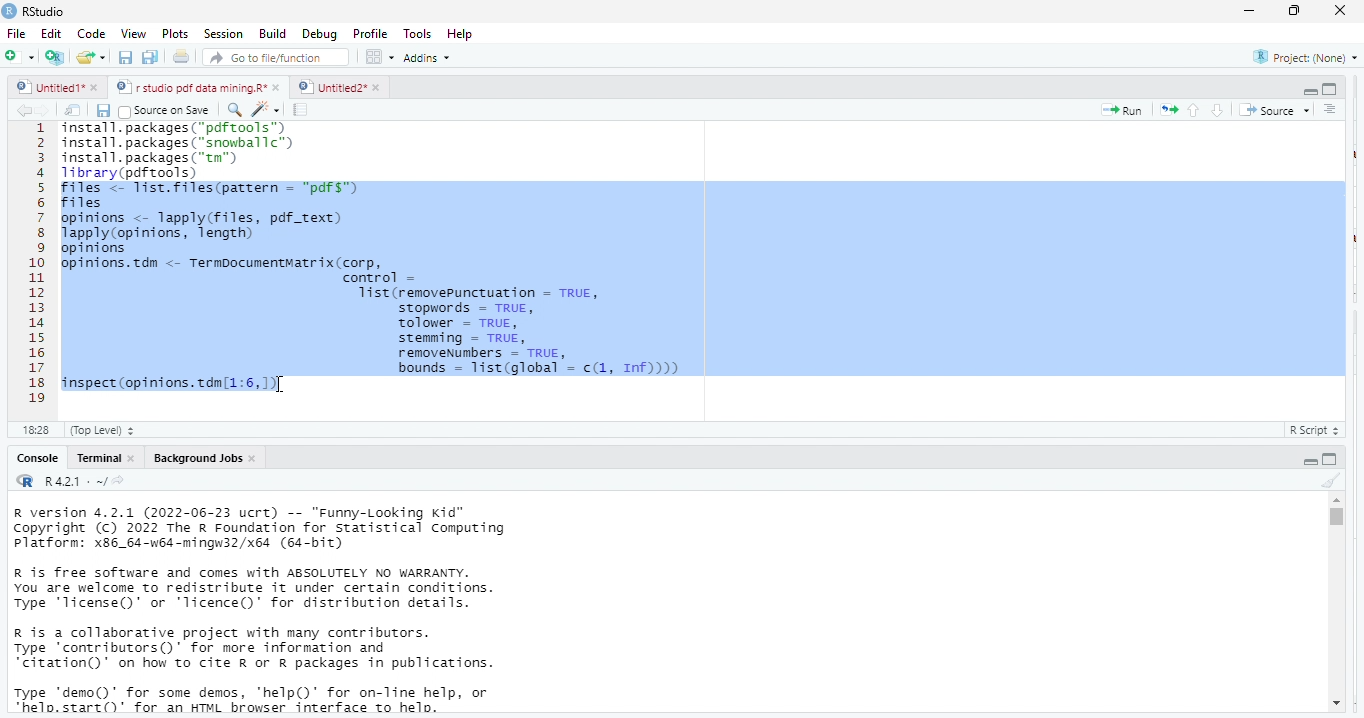 Image resolution: width=1364 pixels, height=718 pixels. I want to click on R421: ~/, so click(84, 482).